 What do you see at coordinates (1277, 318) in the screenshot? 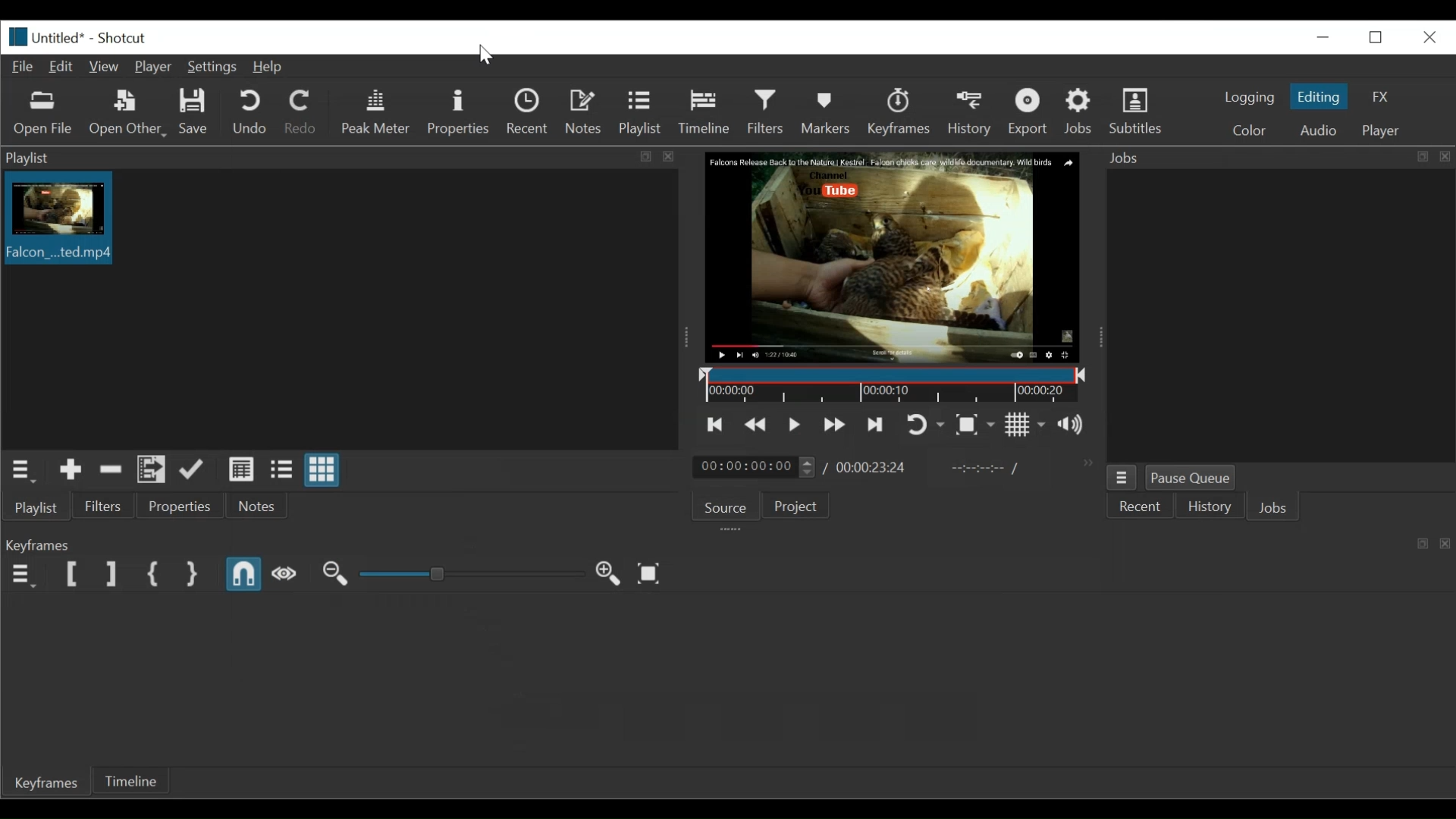
I see `Jobs panel` at bounding box center [1277, 318].